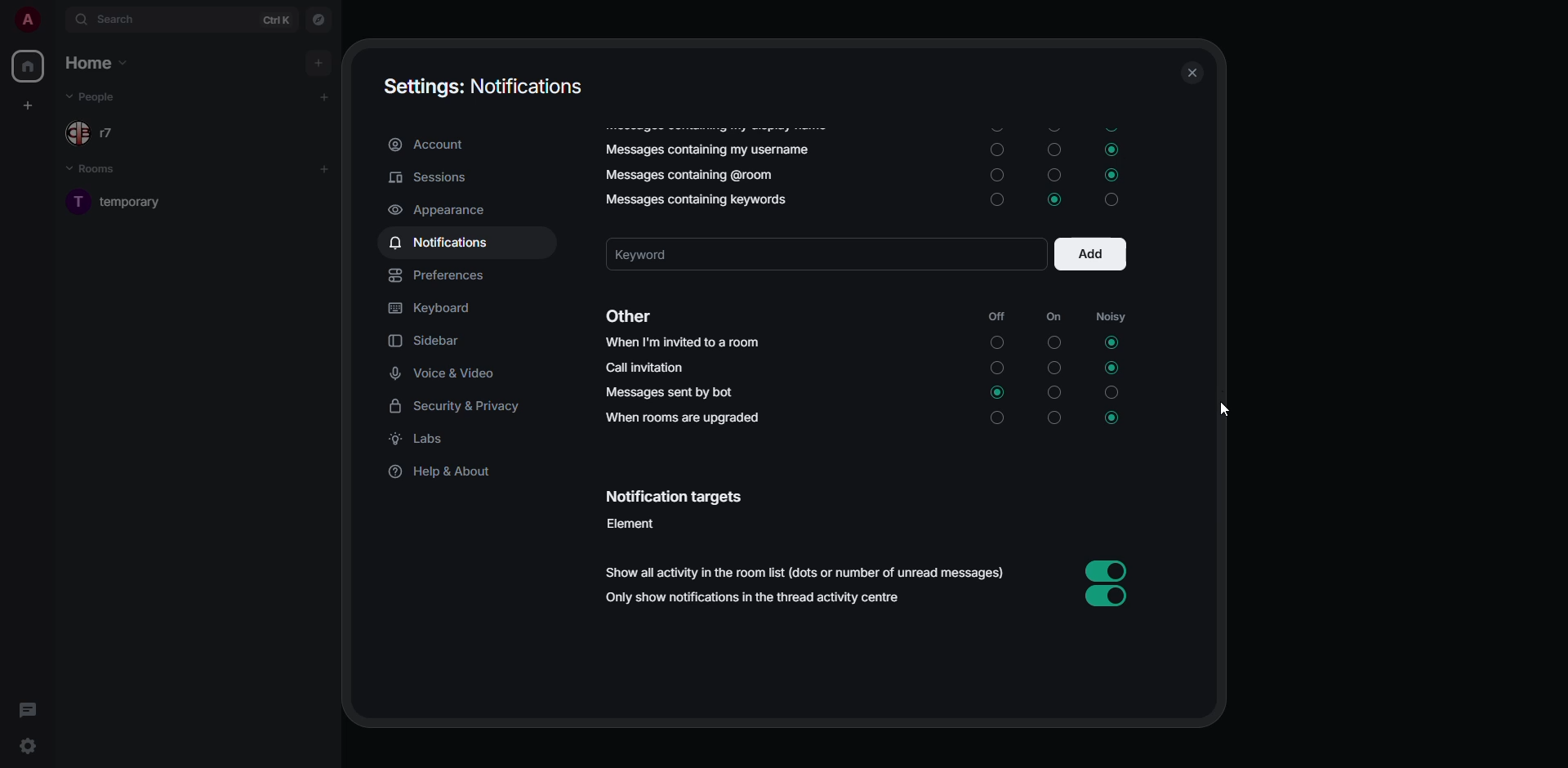 This screenshot has width=1568, height=768. What do you see at coordinates (1103, 569) in the screenshot?
I see `eabled` at bounding box center [1103, 569].